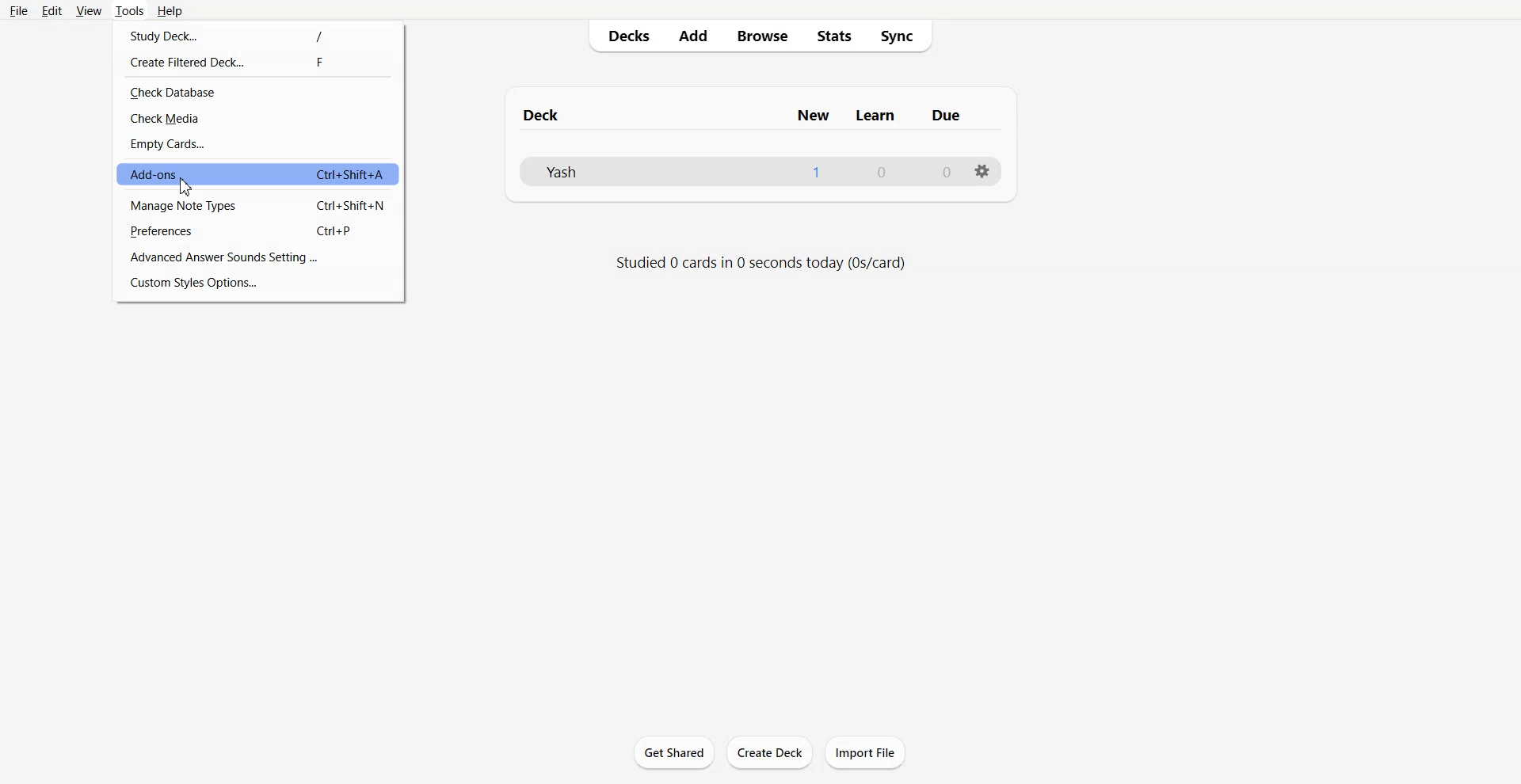 The width and height of the screenshot is (1521, 784). What do you see at coordinates (129, 11) in the screenshot?
I see `Tools` at bounding box center [129, 11].